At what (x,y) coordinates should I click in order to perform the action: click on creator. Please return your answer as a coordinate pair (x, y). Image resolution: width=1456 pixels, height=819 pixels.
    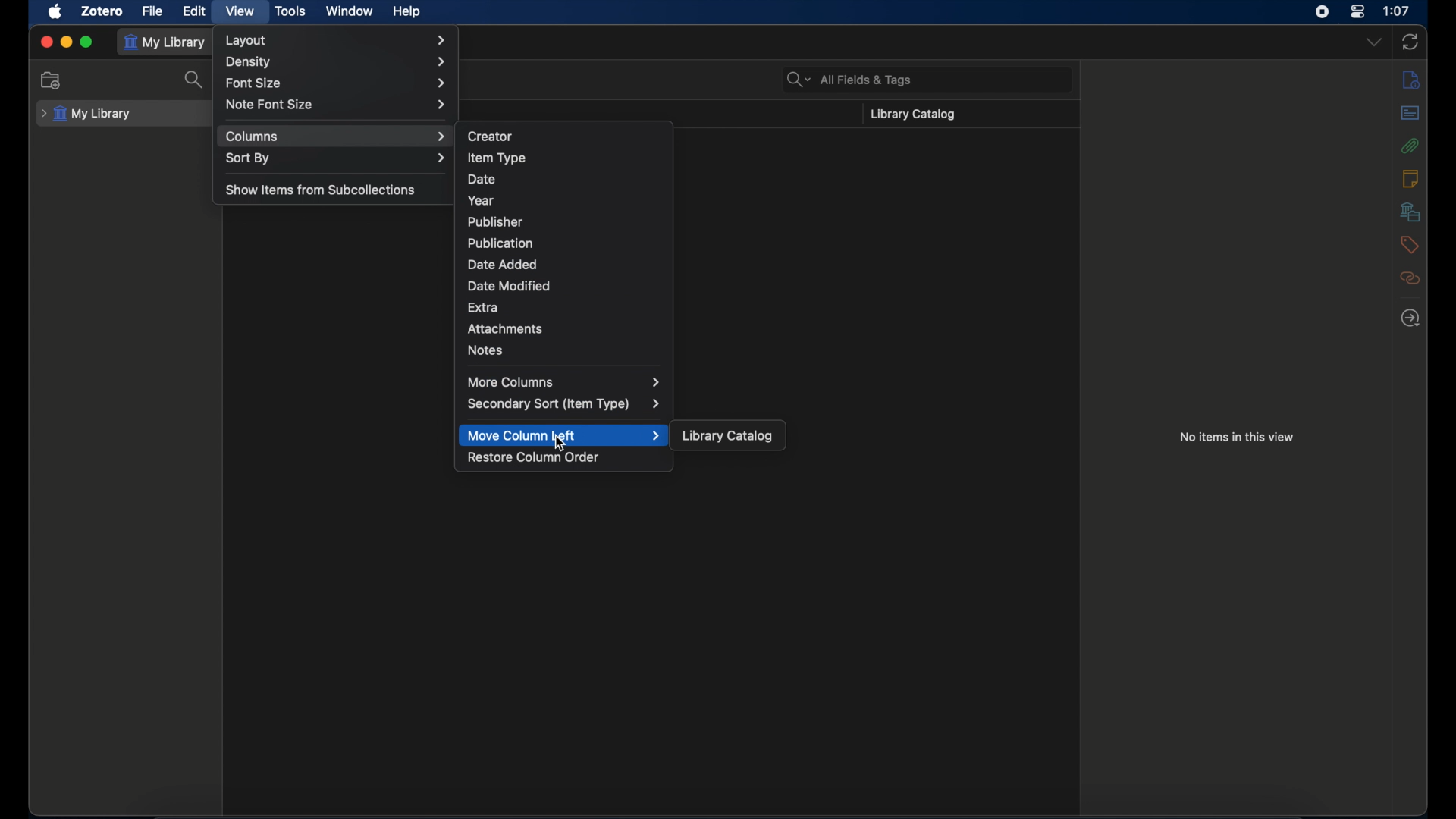
    Looking at the image, I should click on (490, 135).